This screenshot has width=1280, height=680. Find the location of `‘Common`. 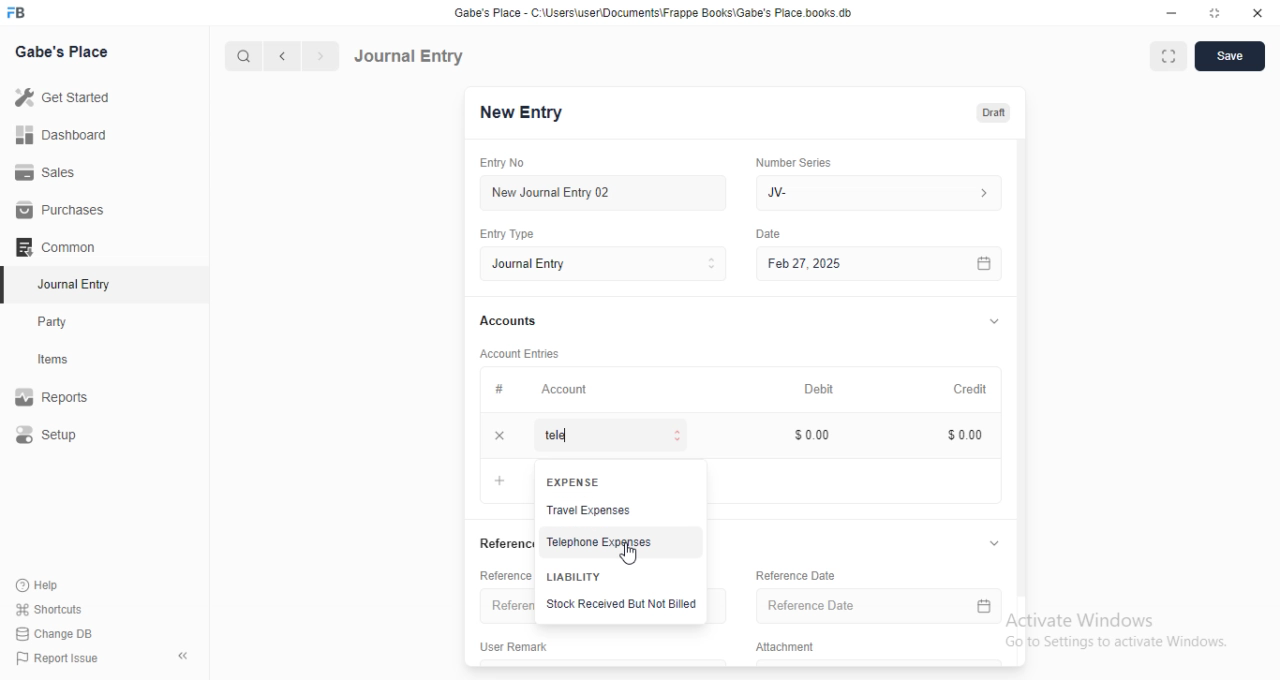

‘Common is located at coordinates (57, 246).